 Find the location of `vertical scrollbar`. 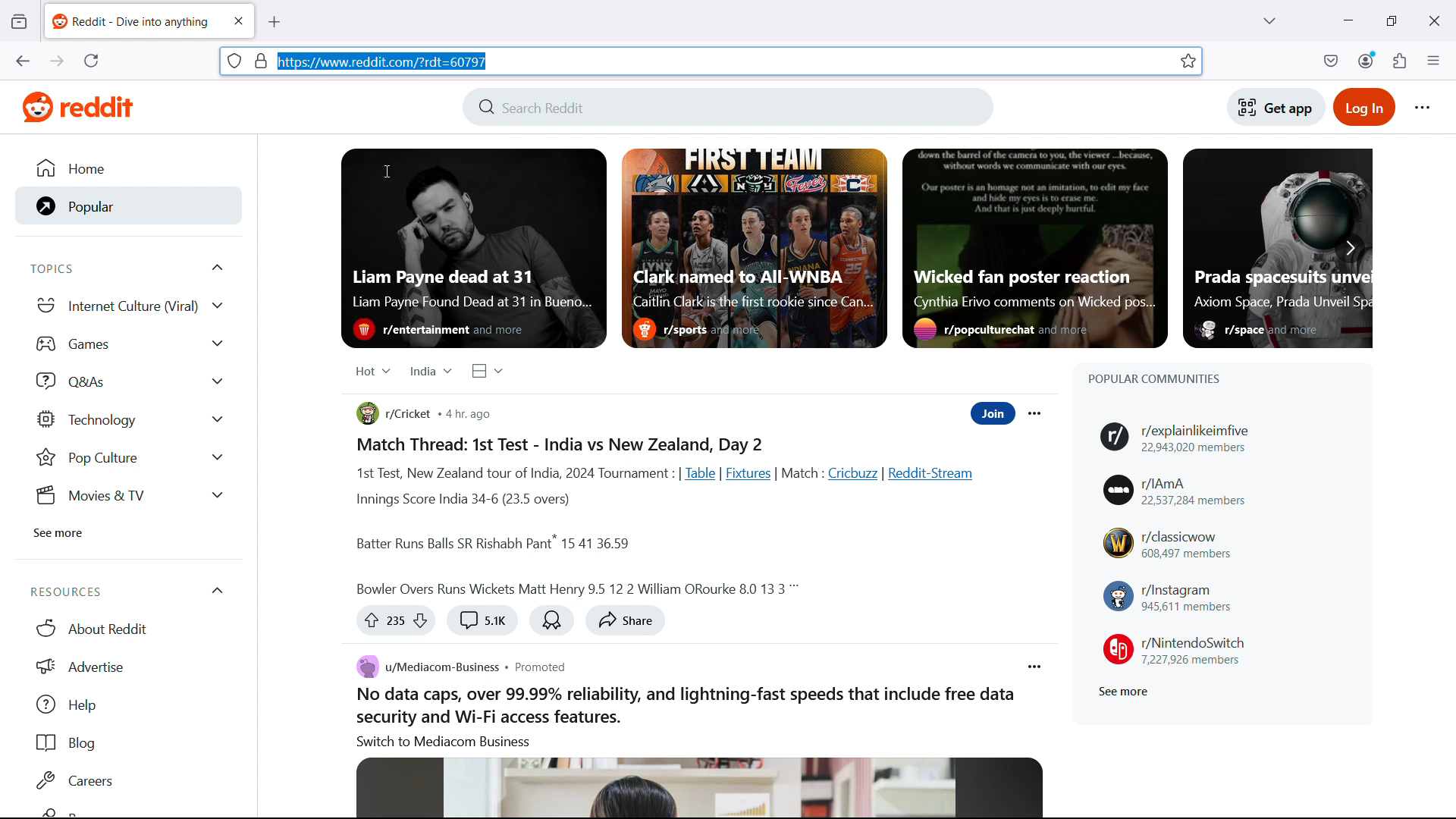

vertical scrollbar is located at coordinates (1453, 187).